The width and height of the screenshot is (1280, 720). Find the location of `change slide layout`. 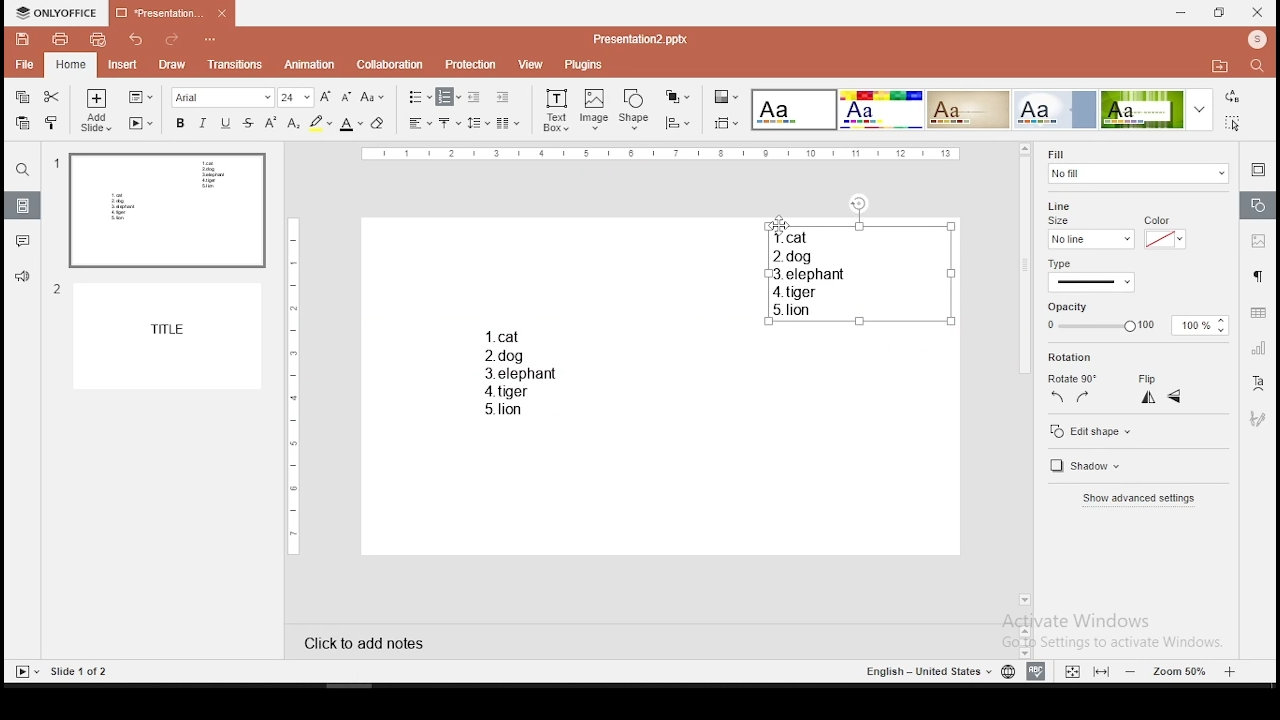

change slide layout is located at coordinates (141, 97).